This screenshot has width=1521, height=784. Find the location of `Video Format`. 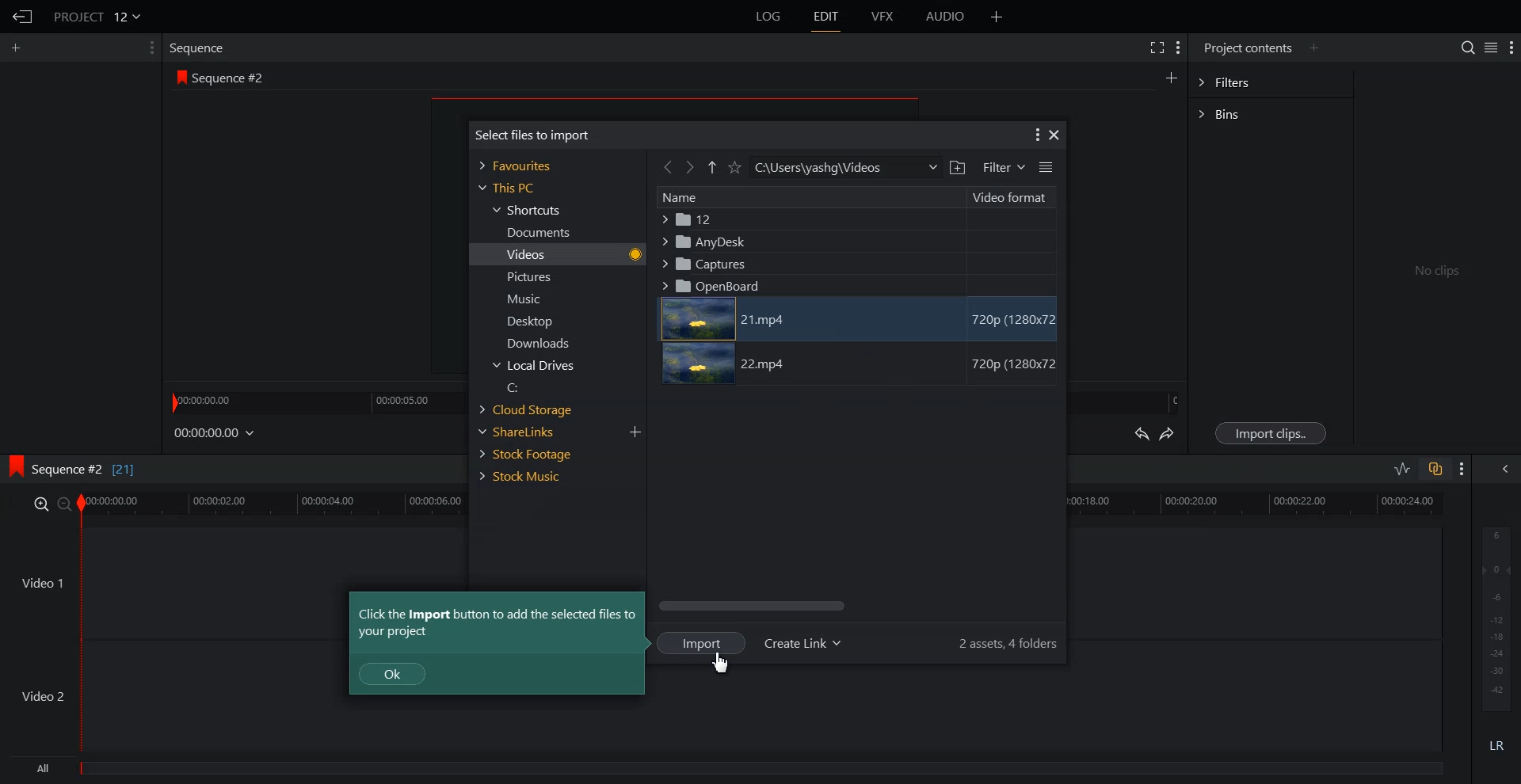

Video Format is located at coordinates (1012, 198).